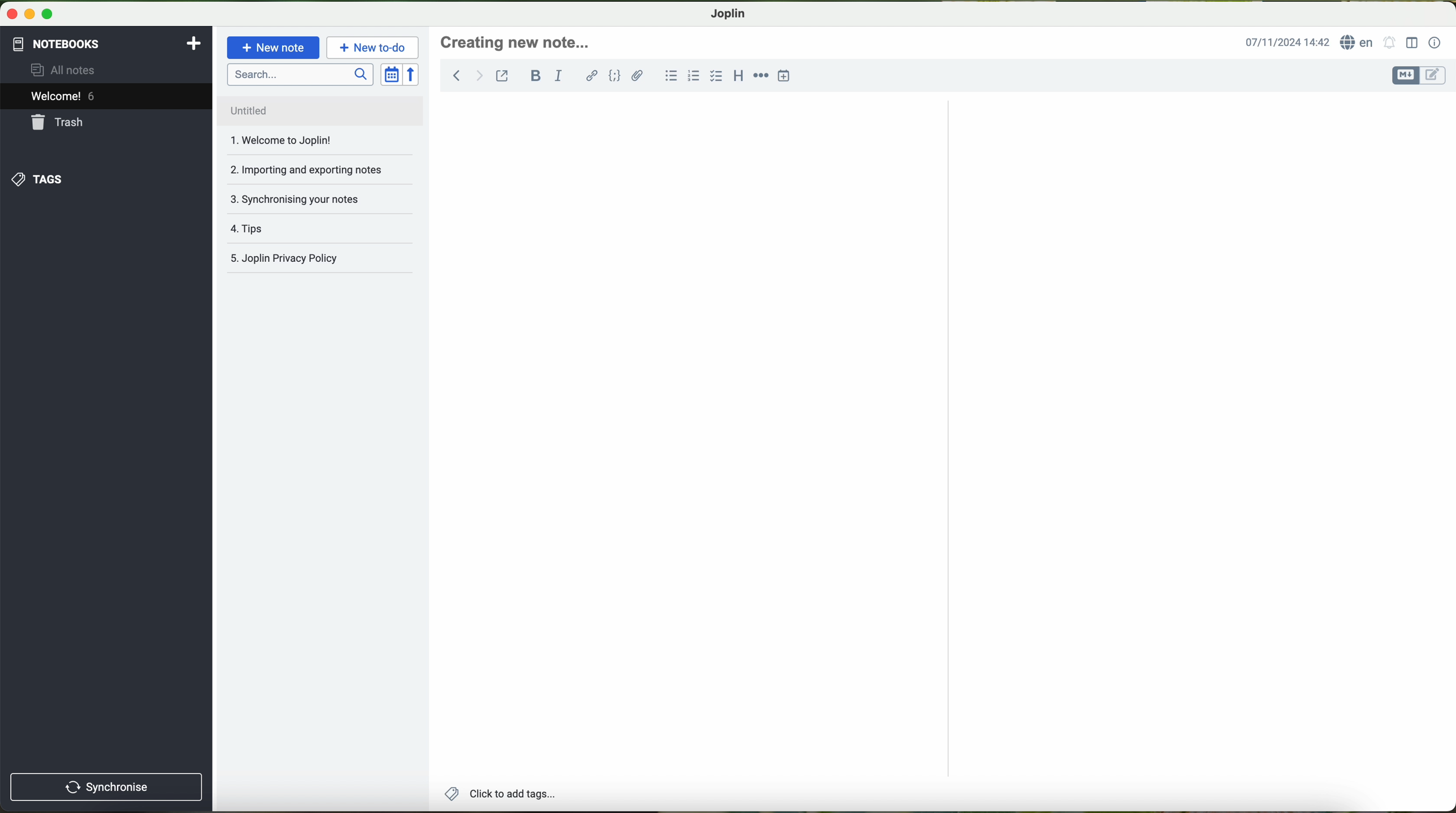 This screenshot has height=813, width=1456. Describe the element at coordinates (9, 16) in the screenshot. I see `close` at that location.